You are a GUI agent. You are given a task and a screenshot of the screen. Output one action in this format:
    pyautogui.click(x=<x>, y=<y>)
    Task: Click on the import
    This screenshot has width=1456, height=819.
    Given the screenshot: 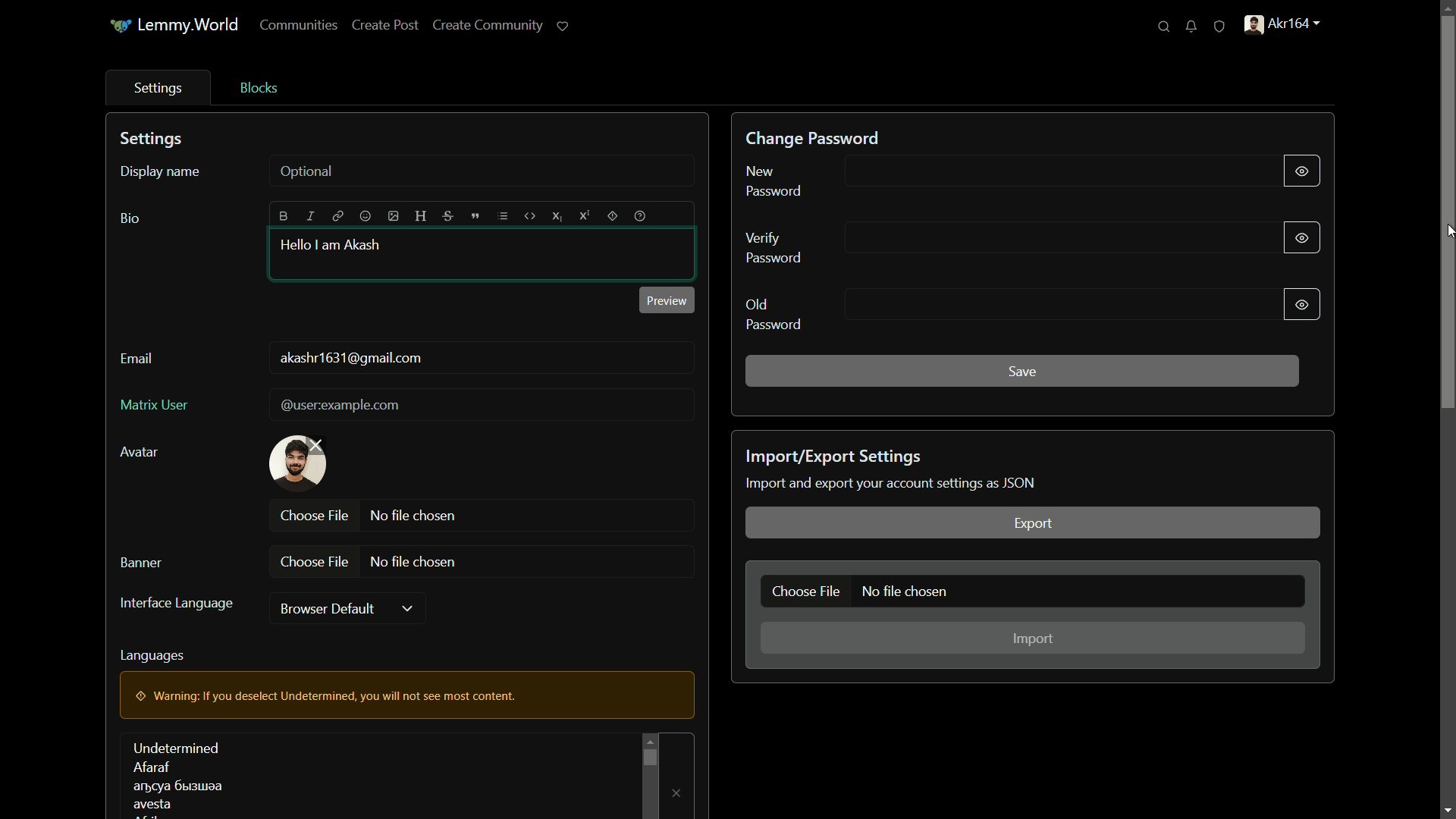 What is the action you would take?
    pyautogui.click(x=1031, y=638)
    